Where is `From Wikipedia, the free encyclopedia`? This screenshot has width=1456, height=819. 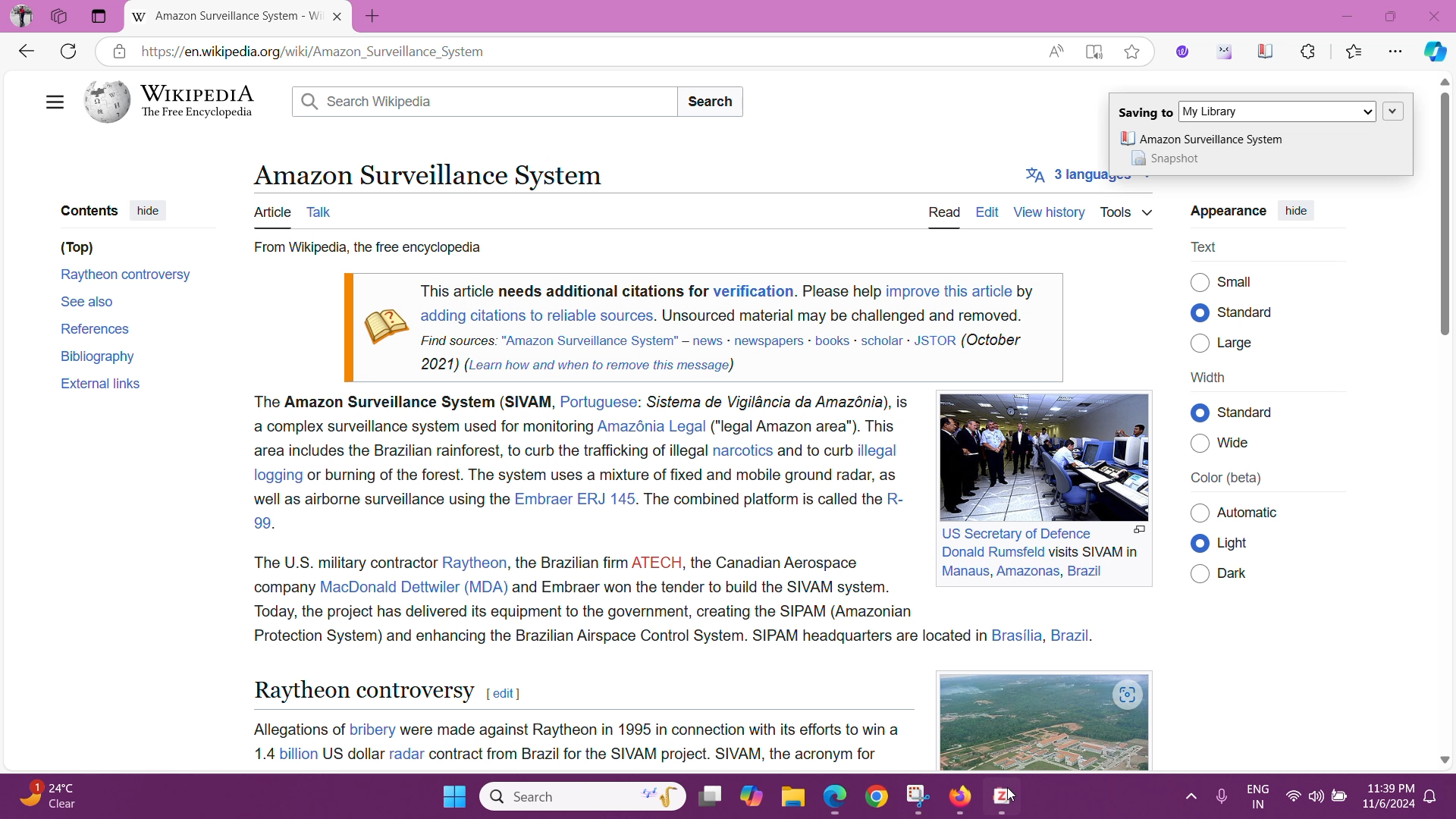 From Wikipedia, the free encyclopedia is located at coordinates (366, 249).